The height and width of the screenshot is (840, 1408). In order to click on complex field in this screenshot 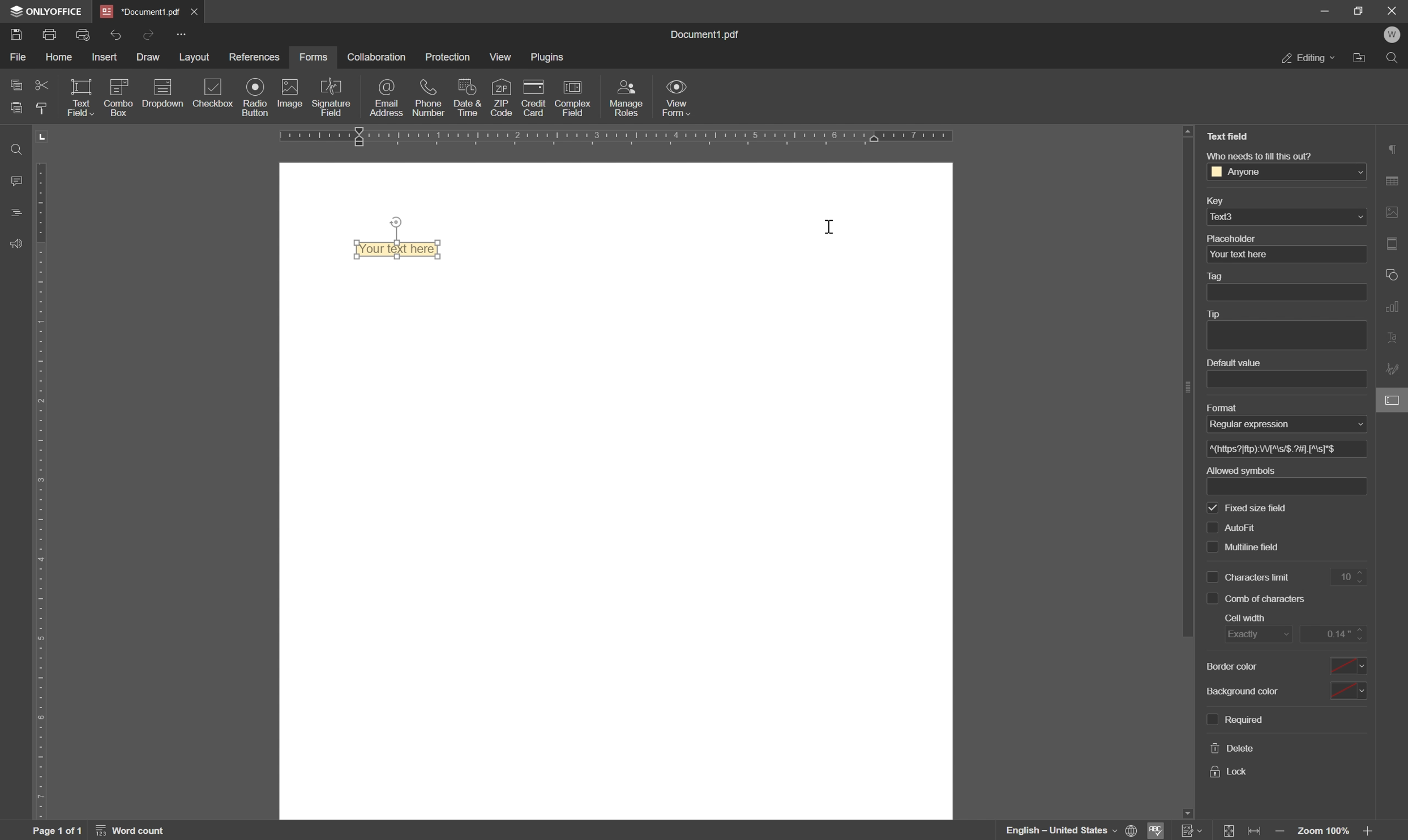, I will do `click(572, 99)`.